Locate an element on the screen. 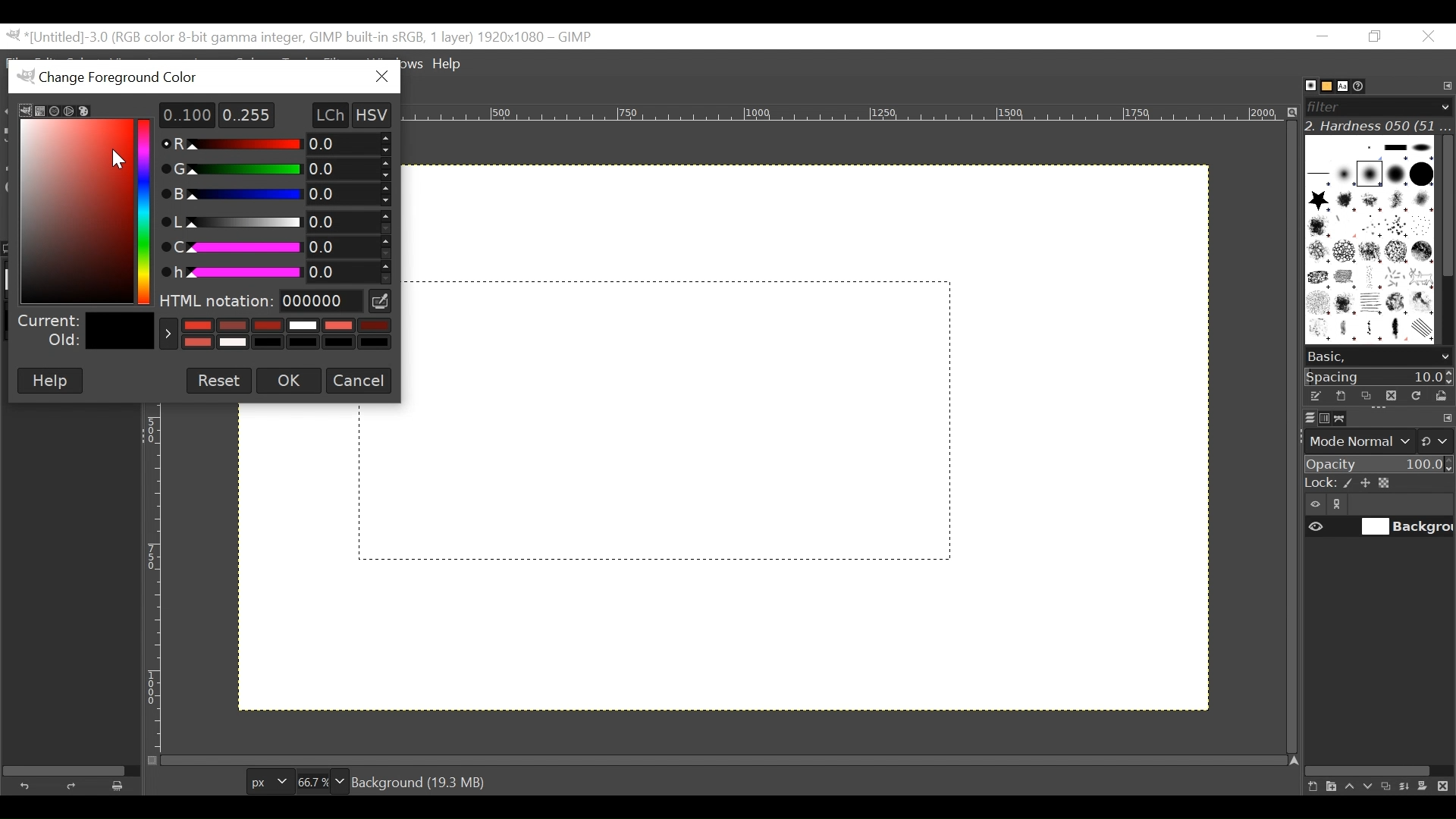  Hue is located at coordinates (272, 270).